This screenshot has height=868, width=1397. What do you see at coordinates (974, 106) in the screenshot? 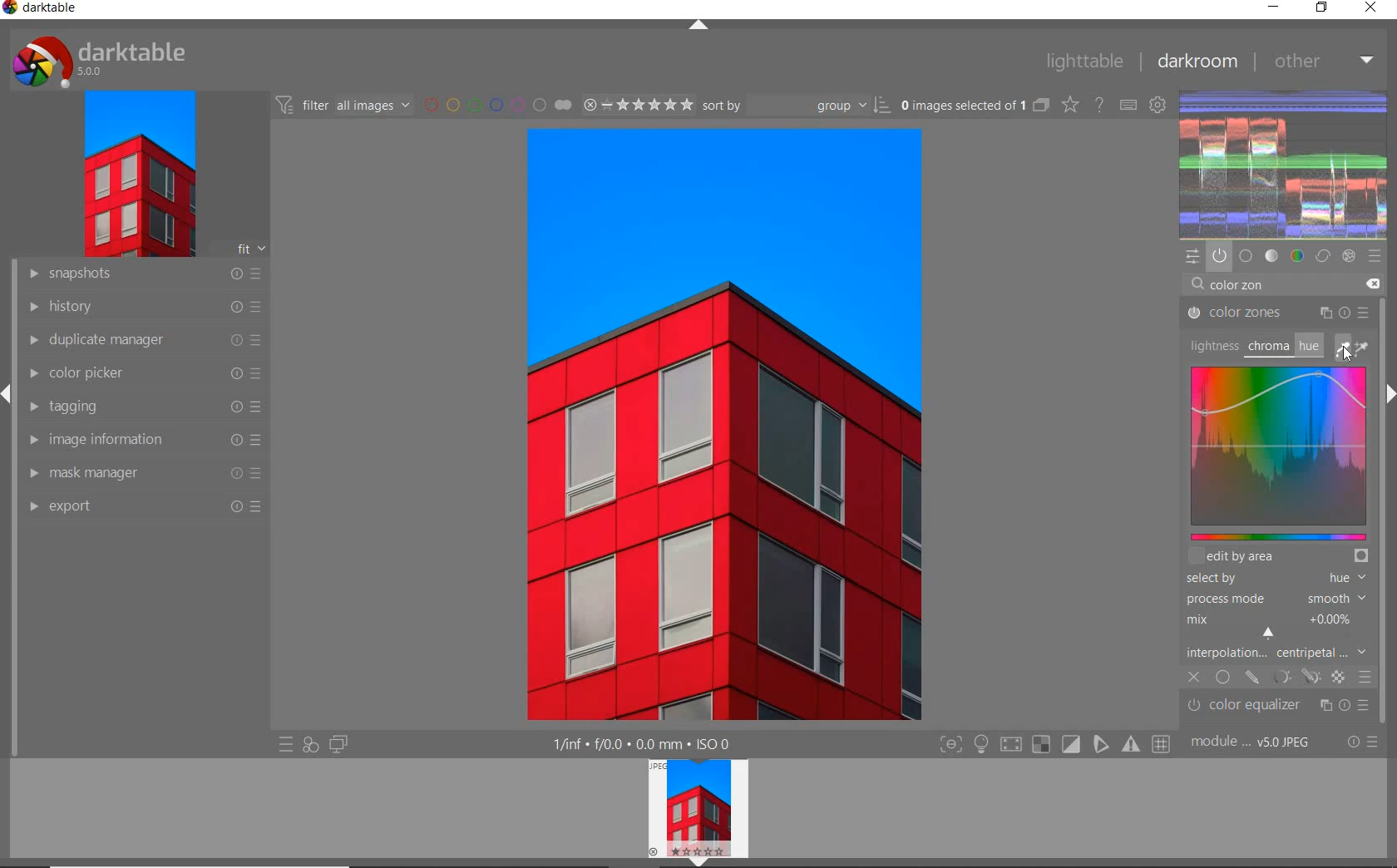
I see `selected images` at bounding box center [974, 106].